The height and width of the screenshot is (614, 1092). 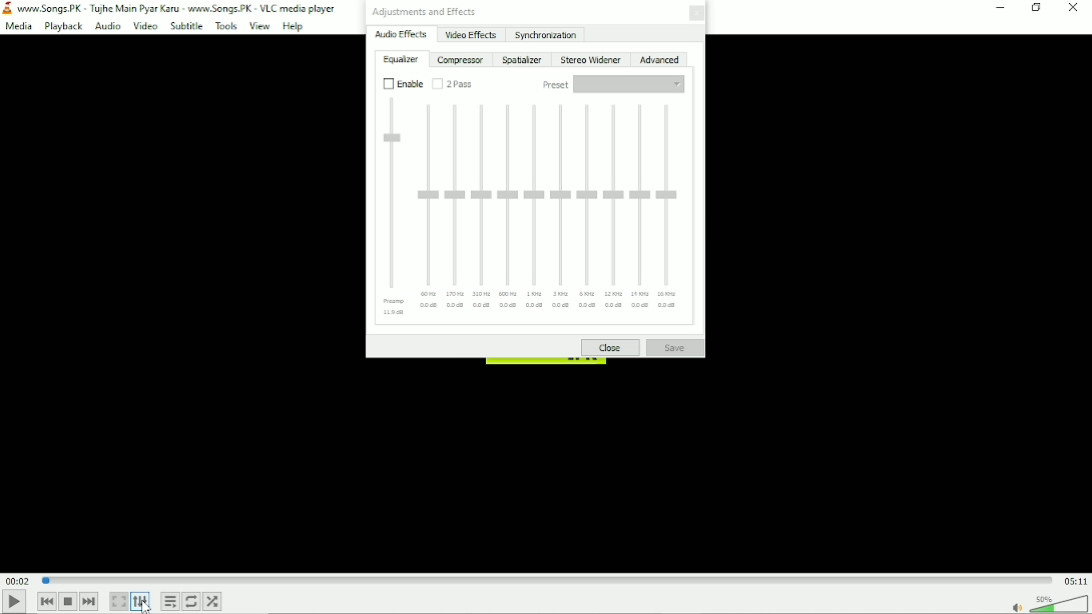 I want to click on Volume, so click(x=1048, y=602).